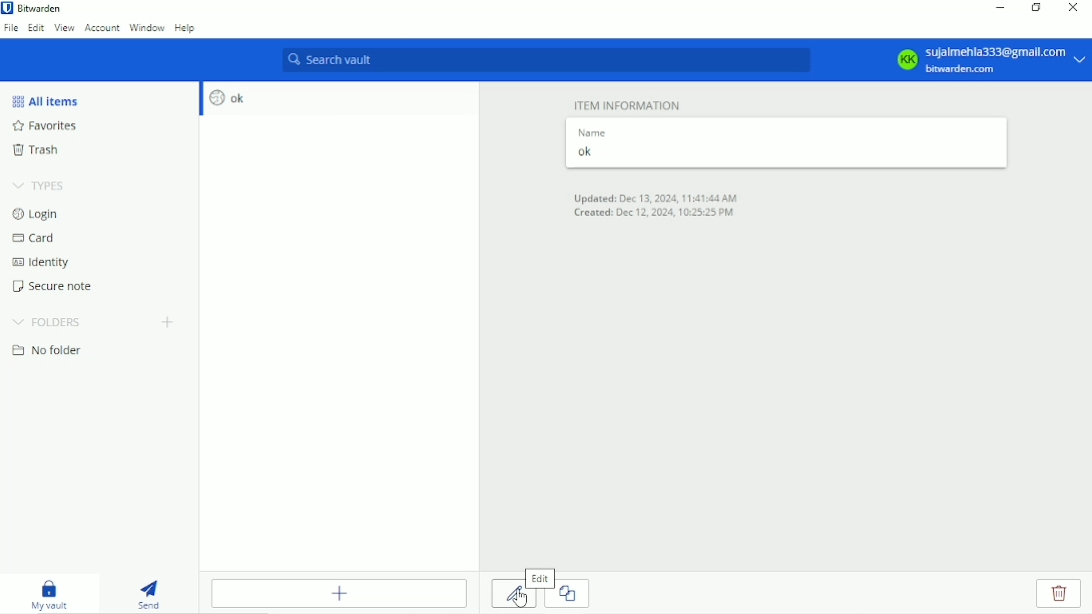  Describe the element at coordinates (151, 591) in the screenshot. I see `Send` at that location.